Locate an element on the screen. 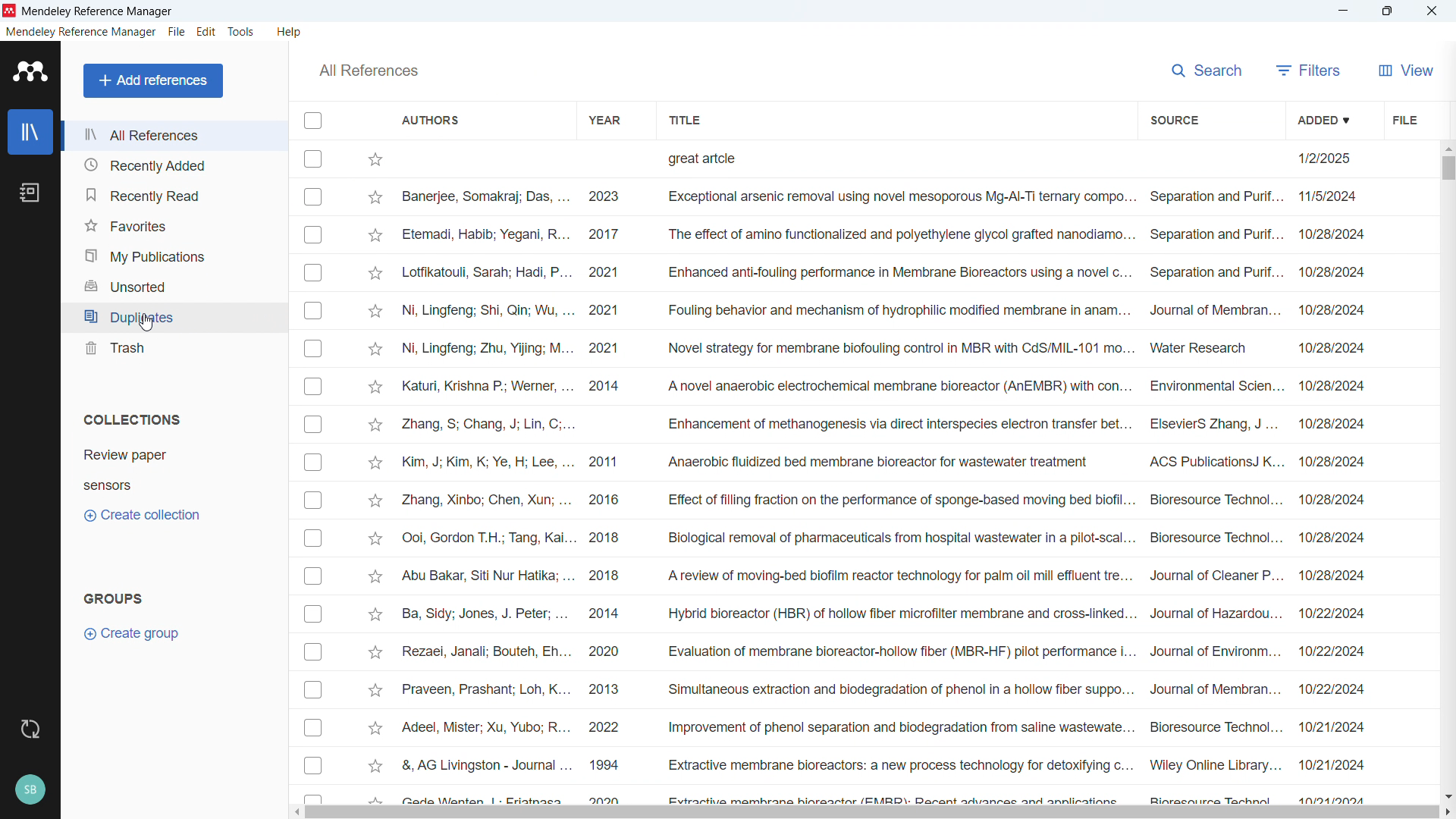 Image resolution: width=1456 pixels, height=819 pixels. Edit  is located at coordinates (207, 32).